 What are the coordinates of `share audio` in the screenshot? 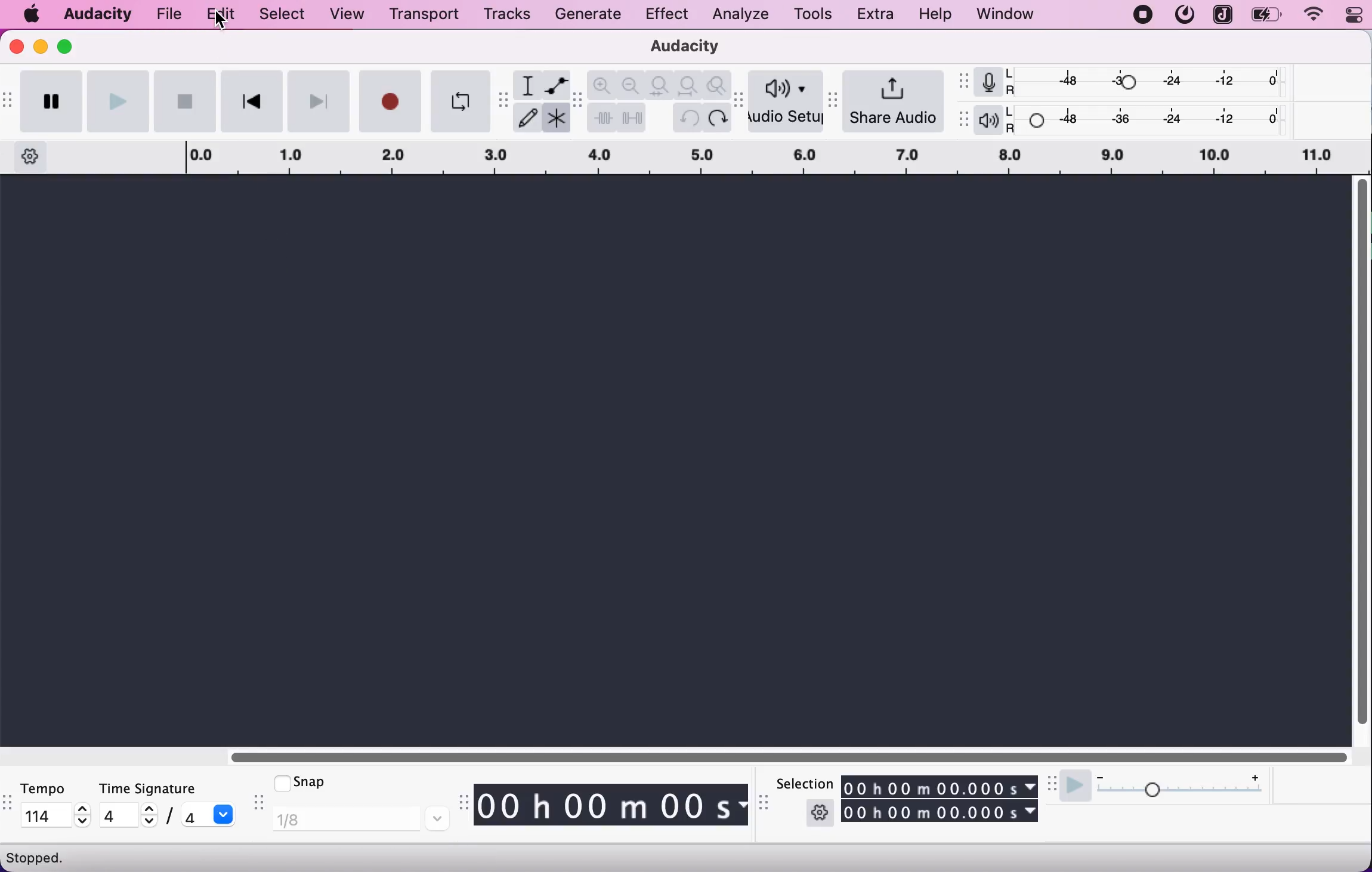 It's located at (895, 100).